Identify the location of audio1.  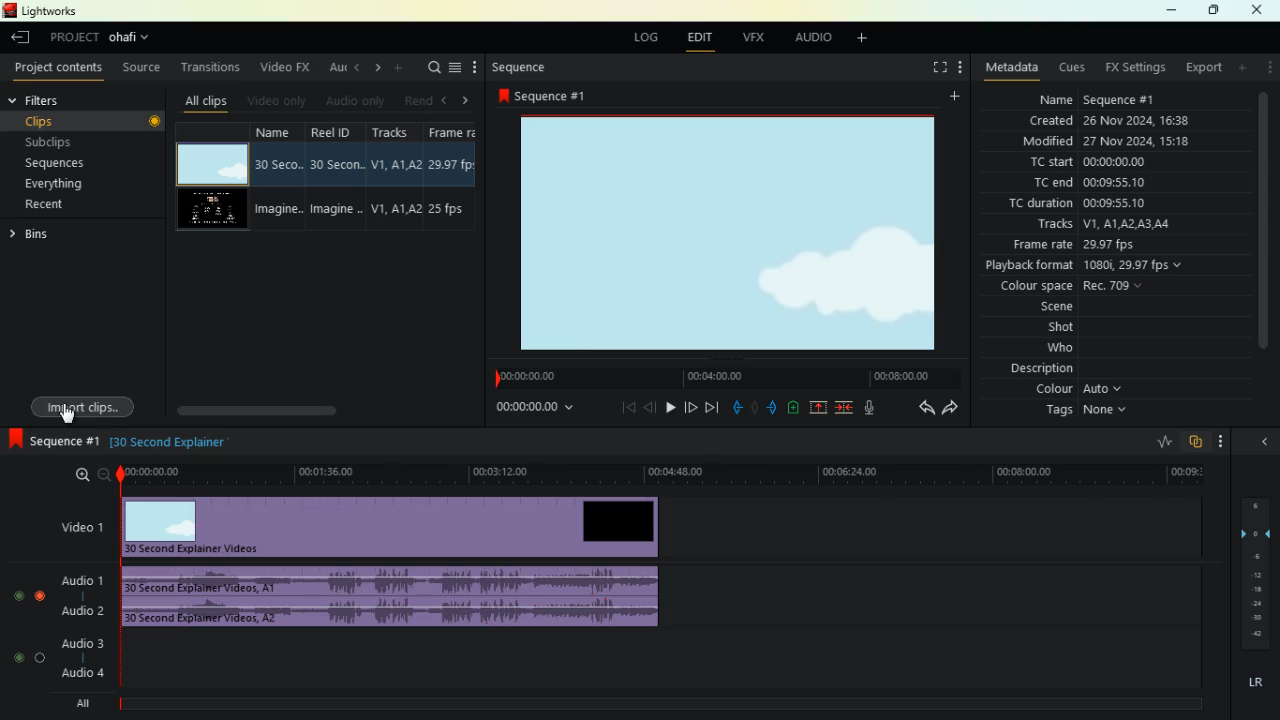
(78, 577).